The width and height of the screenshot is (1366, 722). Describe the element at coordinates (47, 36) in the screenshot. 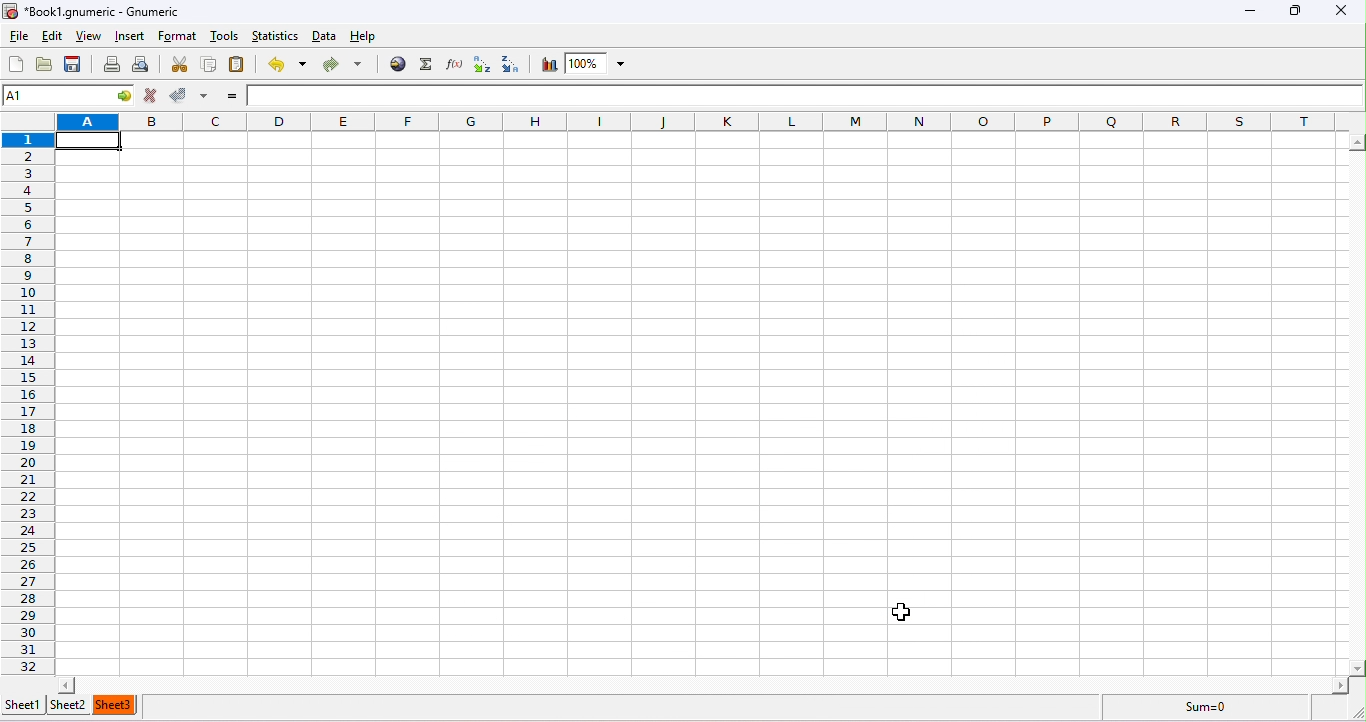

I see `edit` at that location.